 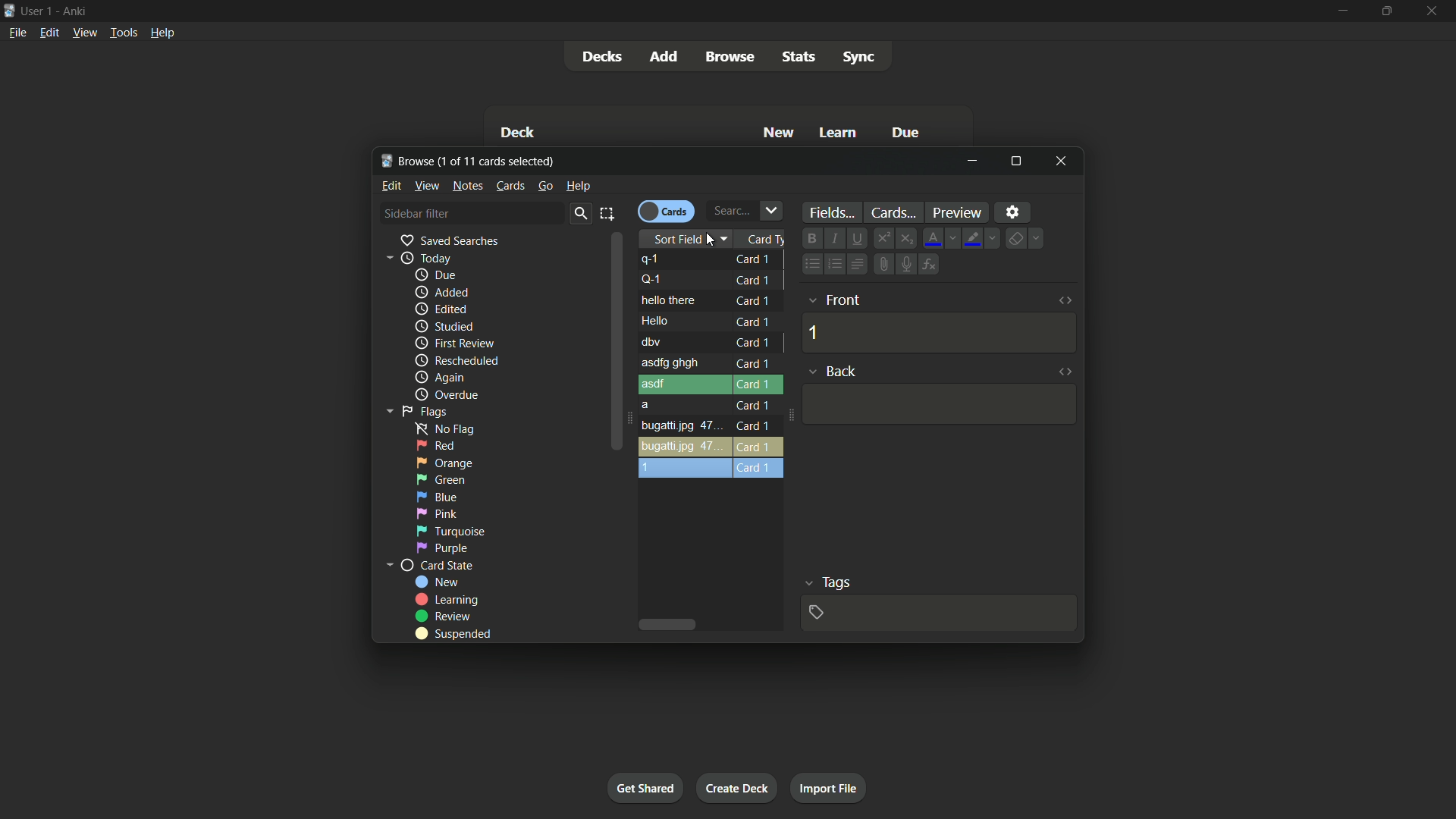 What do you see at coordinates (613, 343) in the screenshot?
I see `scroll bar` at bounding box center [613, 343].